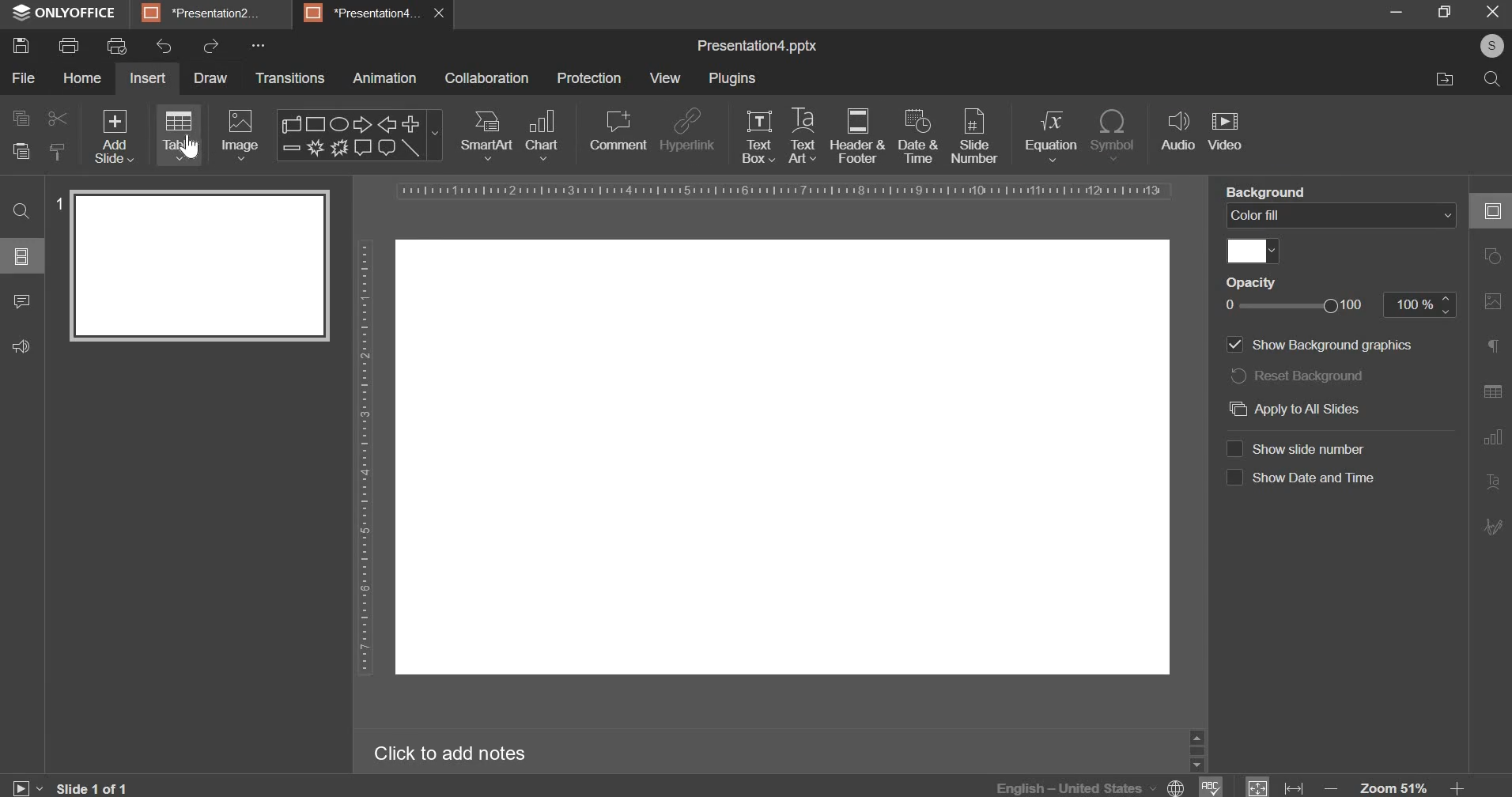 This screenshot has width=1512, height=797. Describe the element at coordinates (784, 190) in the screenshot. I see `ruler` at that location.